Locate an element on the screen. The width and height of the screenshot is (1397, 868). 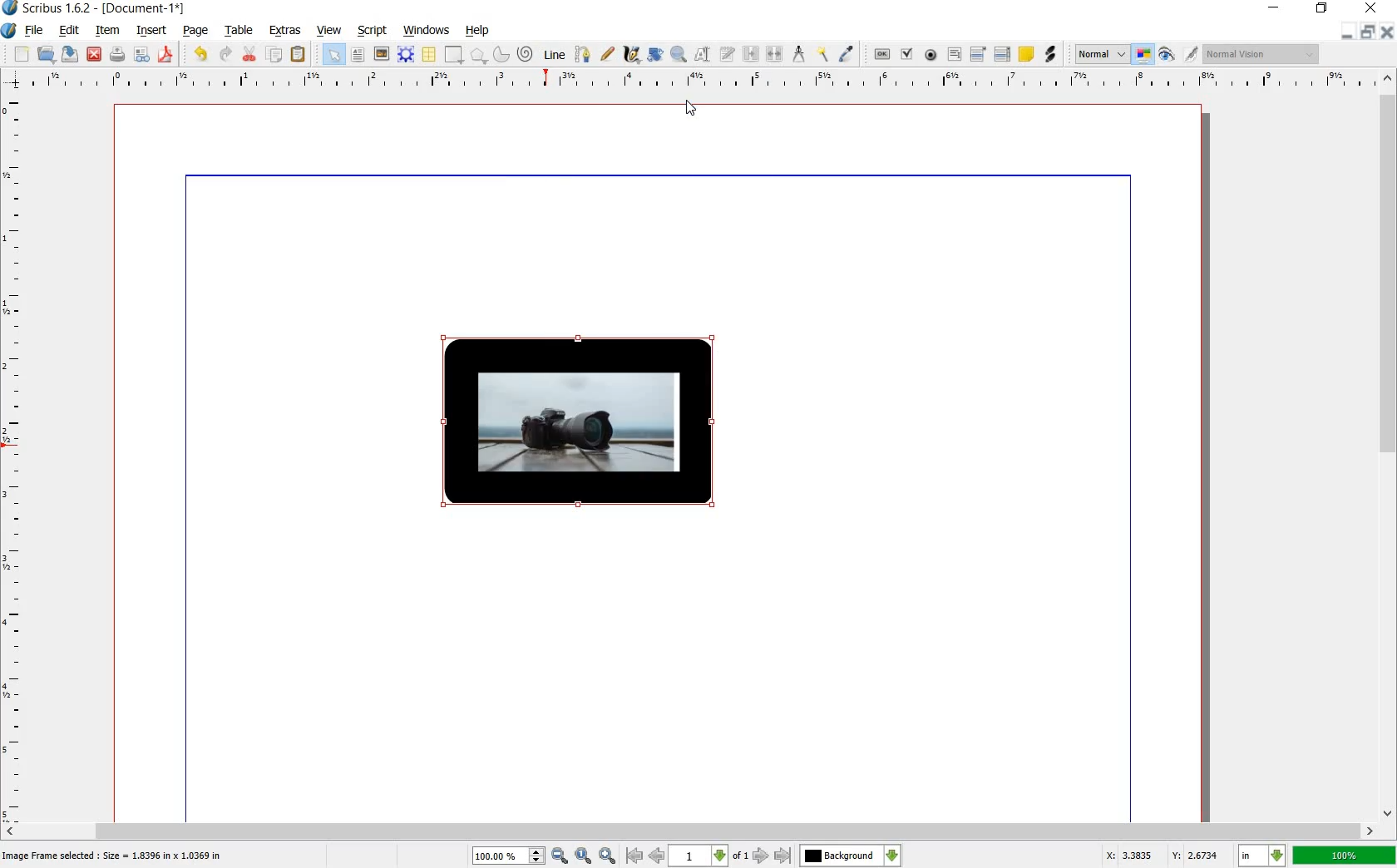
freehand line is located at coordinates (608, 55).